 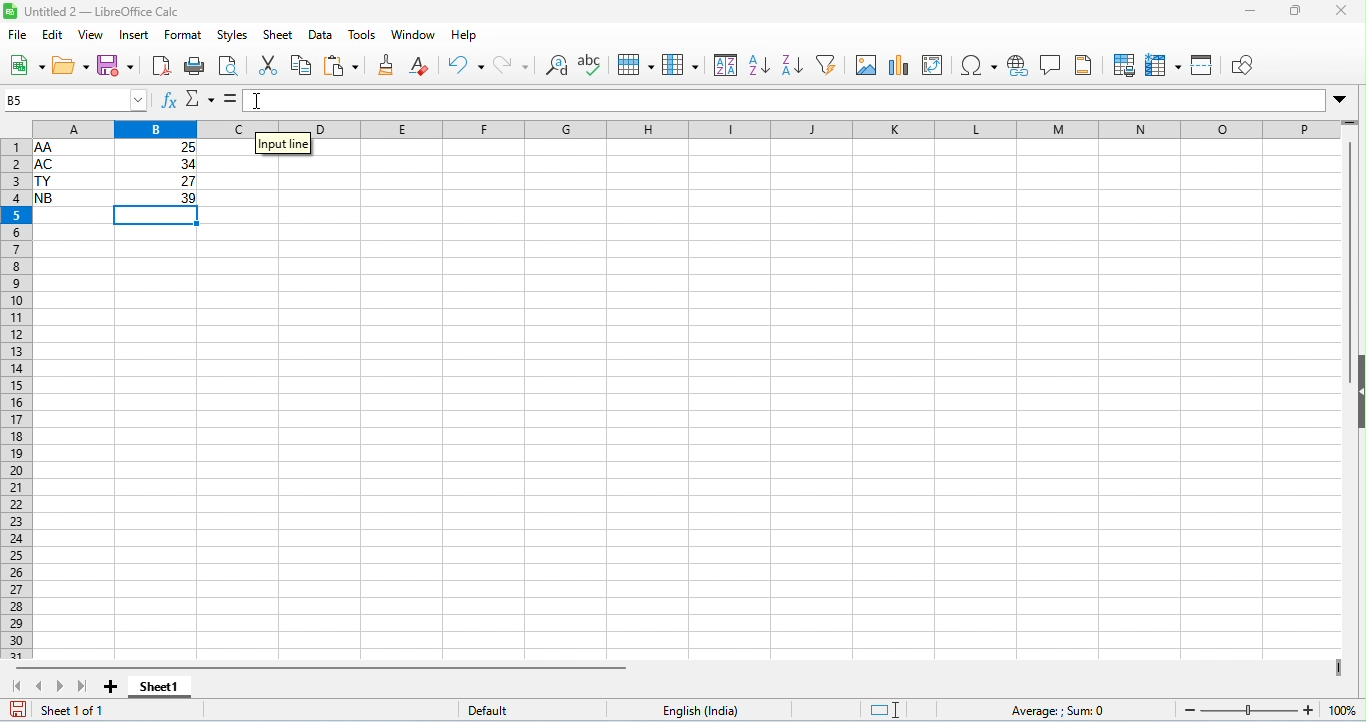 What do you see at coordinates (80, 684) in the screenshot?
I see `last sheet` at bounding box center [80, 684].